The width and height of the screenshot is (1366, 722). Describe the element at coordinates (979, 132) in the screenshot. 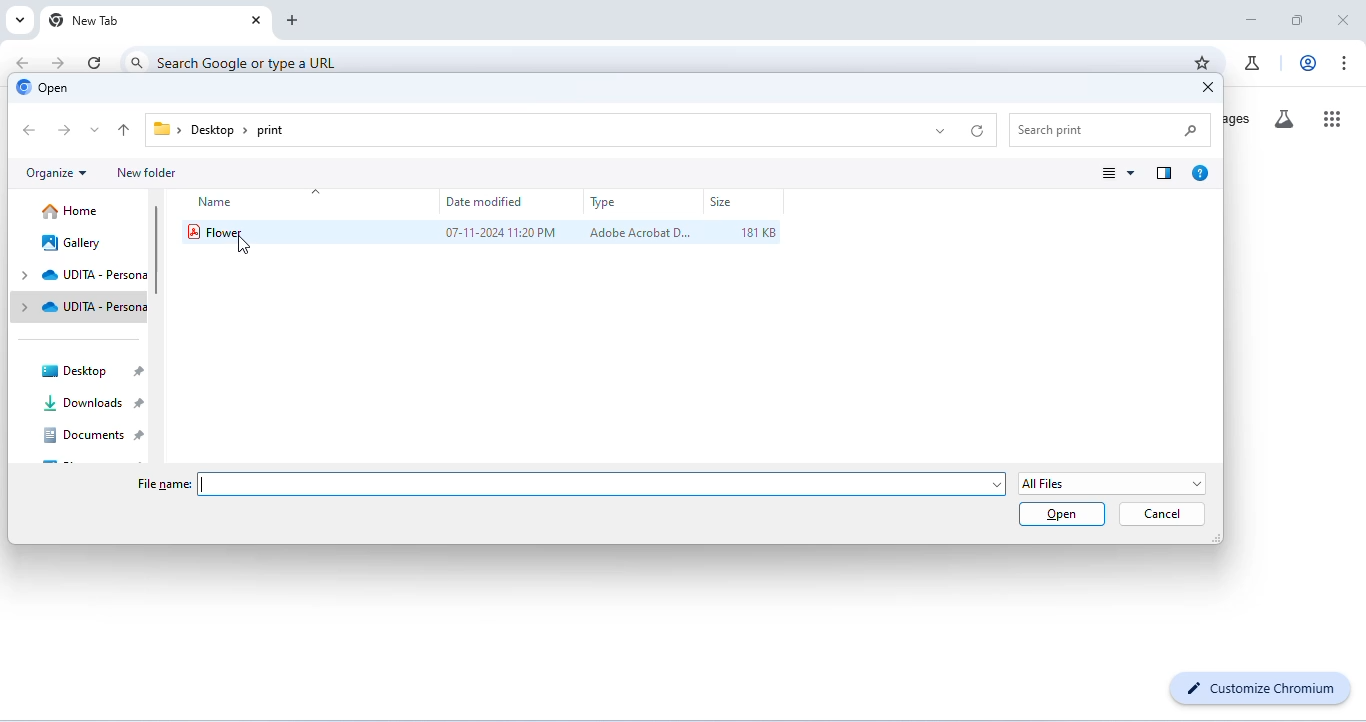

I see `refresh` at that location.